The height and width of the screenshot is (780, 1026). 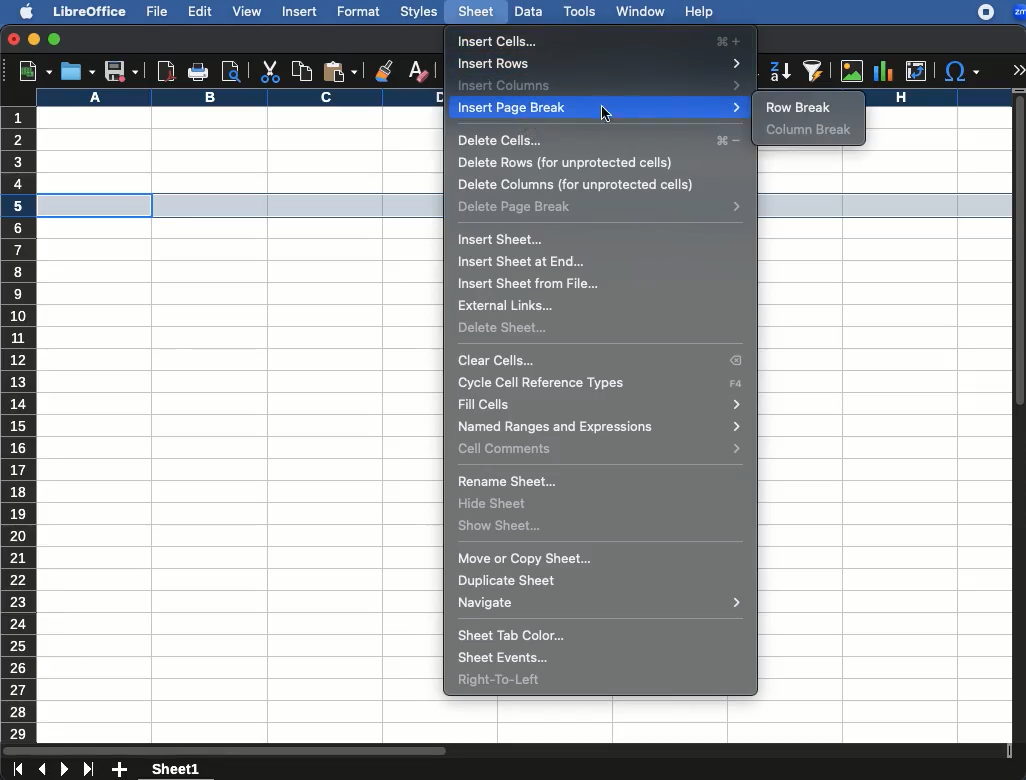 What do you see at coordinates (599, 44) in the screenshot?
I see `insert cells` at bounding box center [599, 44].